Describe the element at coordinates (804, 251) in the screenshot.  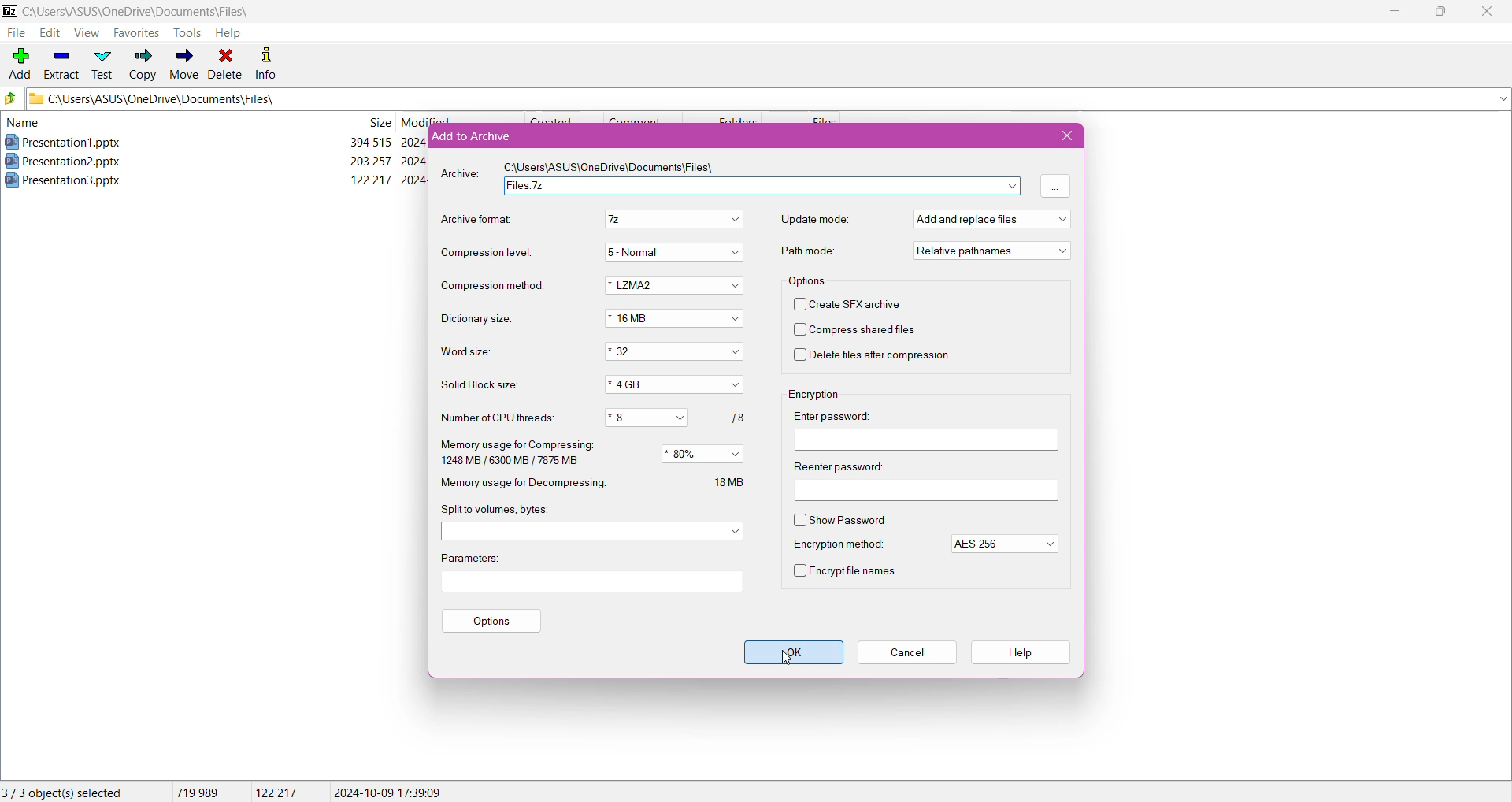
I see `Path mode` at that location.